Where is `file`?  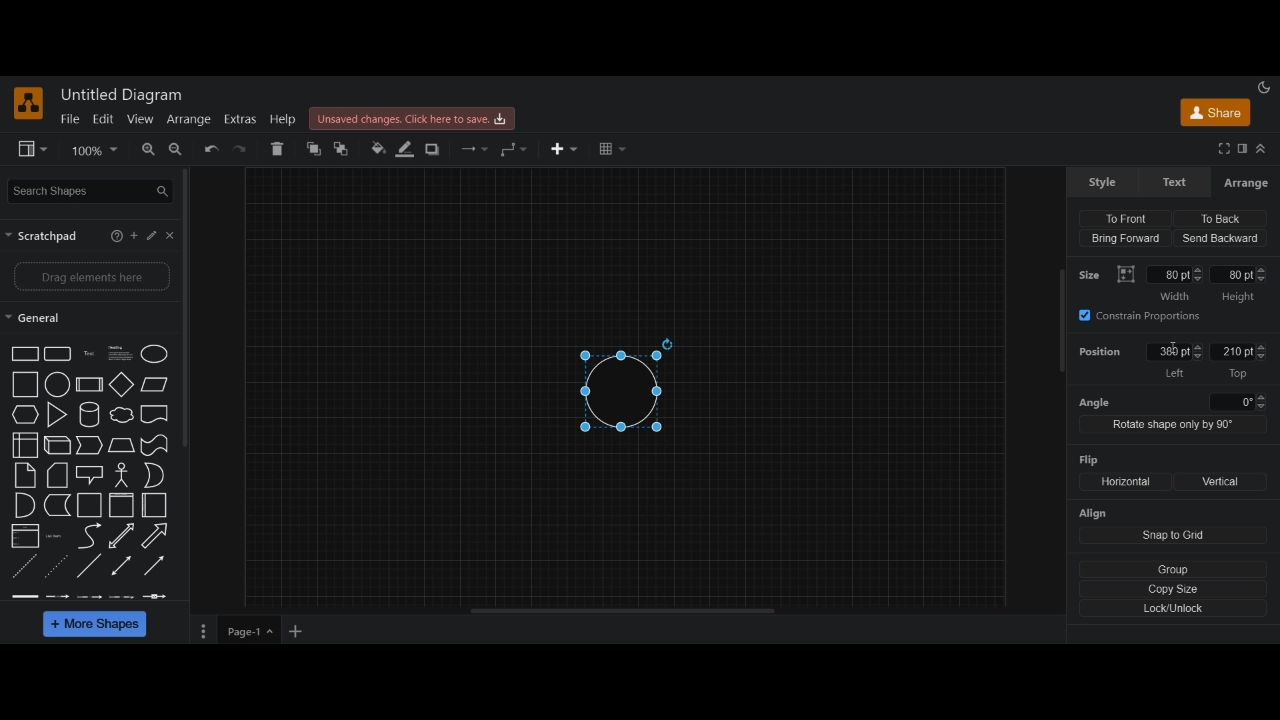
file is located at coordinates (70, 119).